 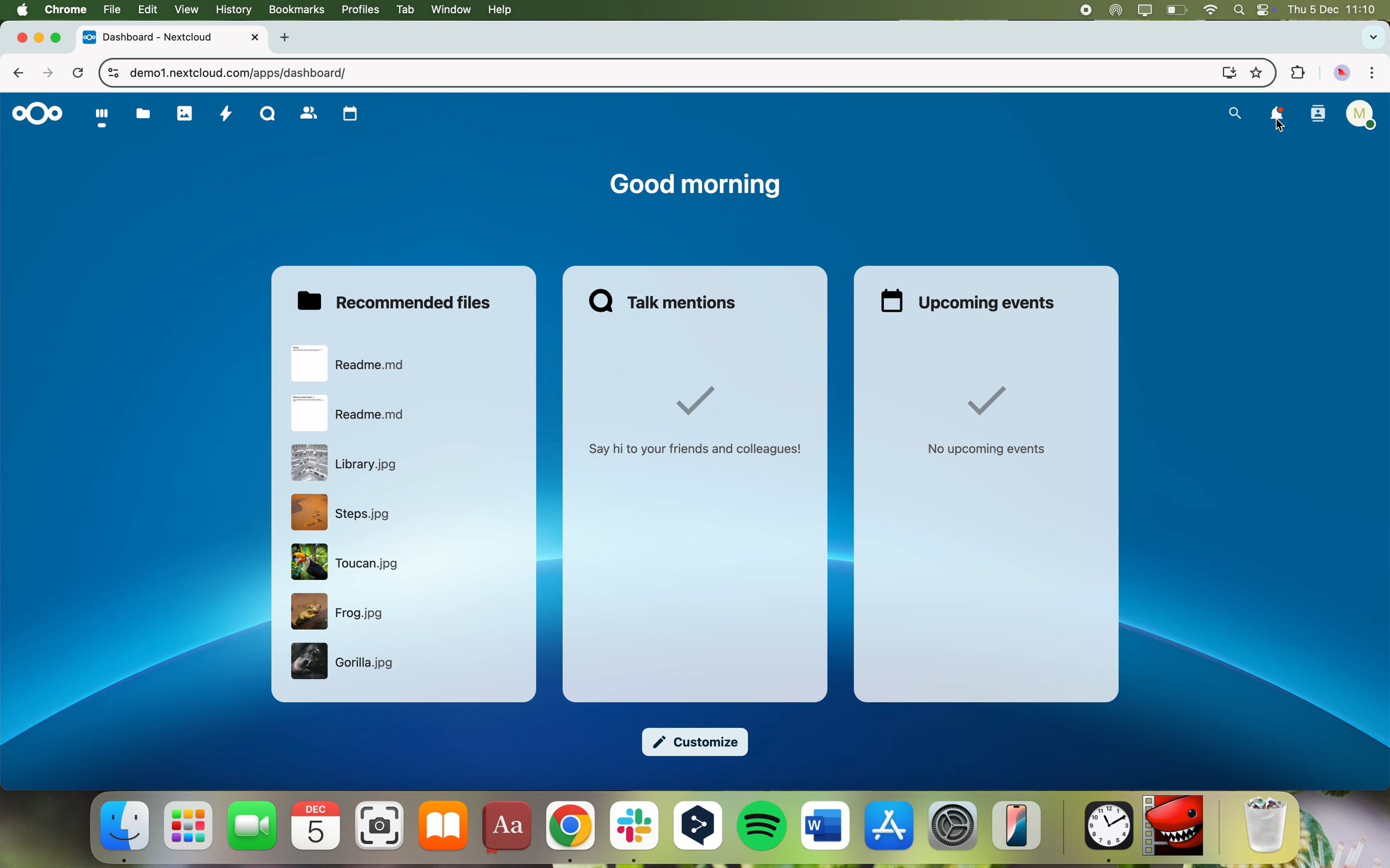 I want to click on photos, so click(x=186, y=113).